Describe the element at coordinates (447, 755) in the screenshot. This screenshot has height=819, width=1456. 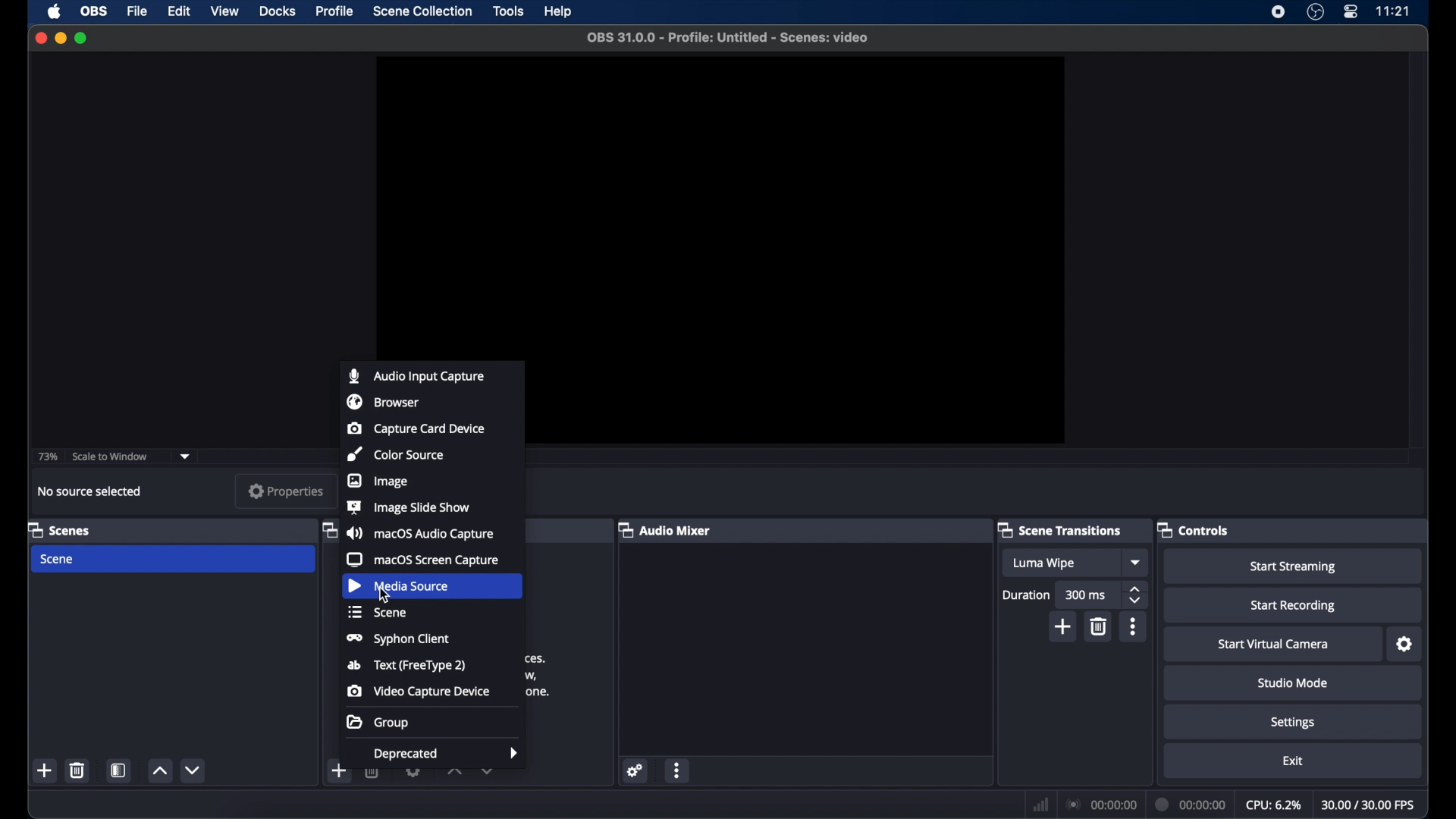
I see `deprecated` at that location.